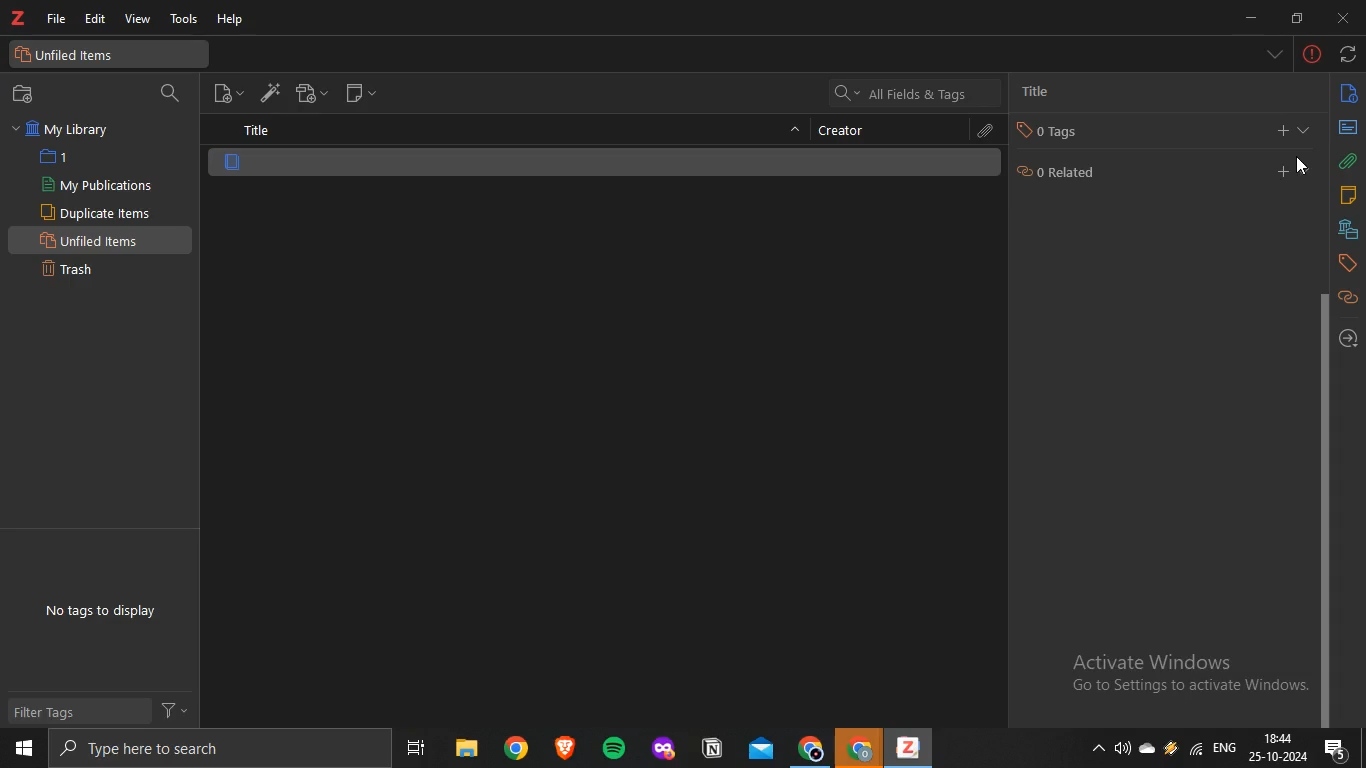 Image resolution: width=1366 pixels, height=768 pixels. Describe the element at coordinates (1307, 195) in the screenshot. I see `expand section` at that location.